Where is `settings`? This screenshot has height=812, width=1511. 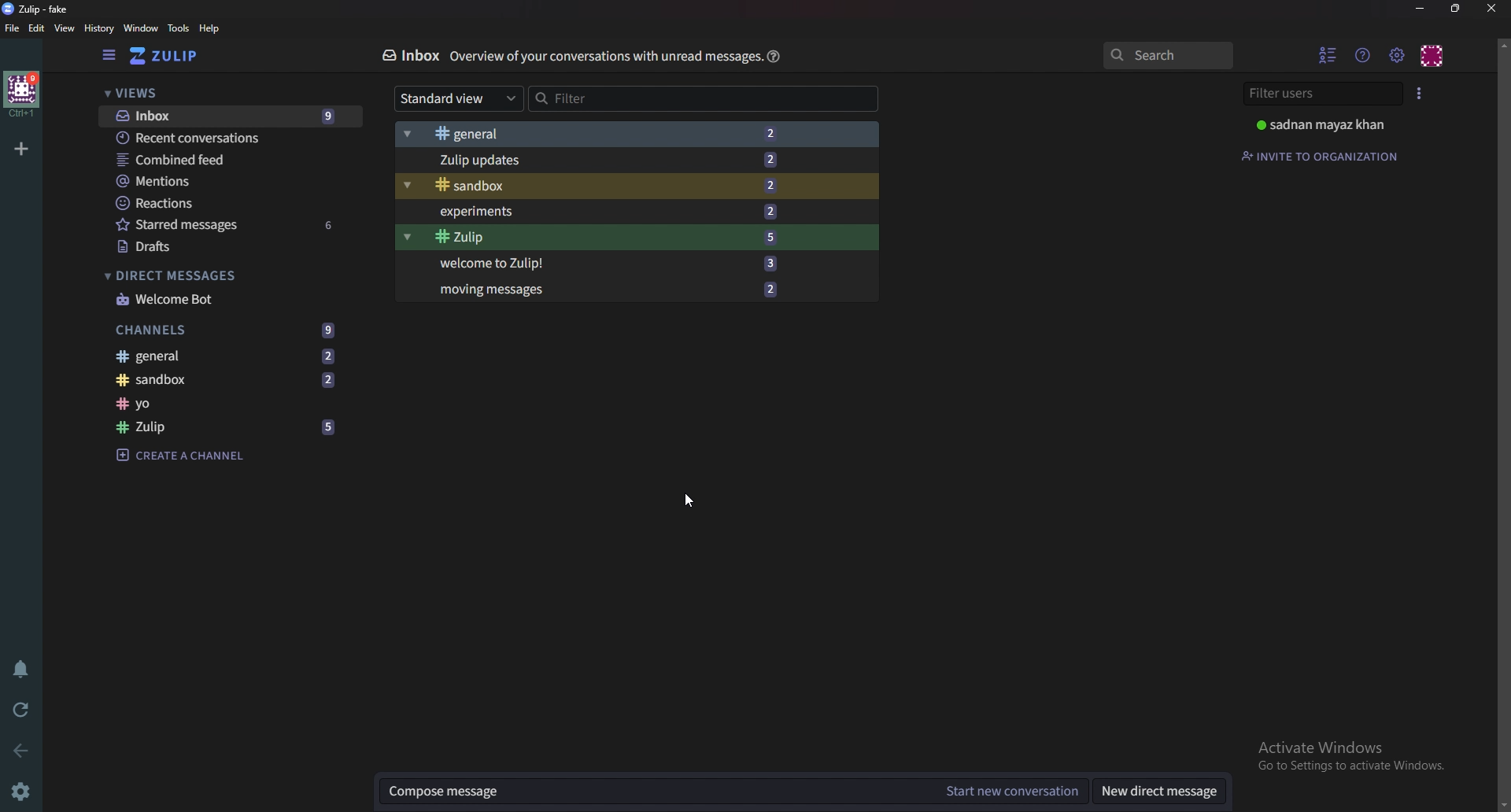
settings is located at coordinates (1396, 56).